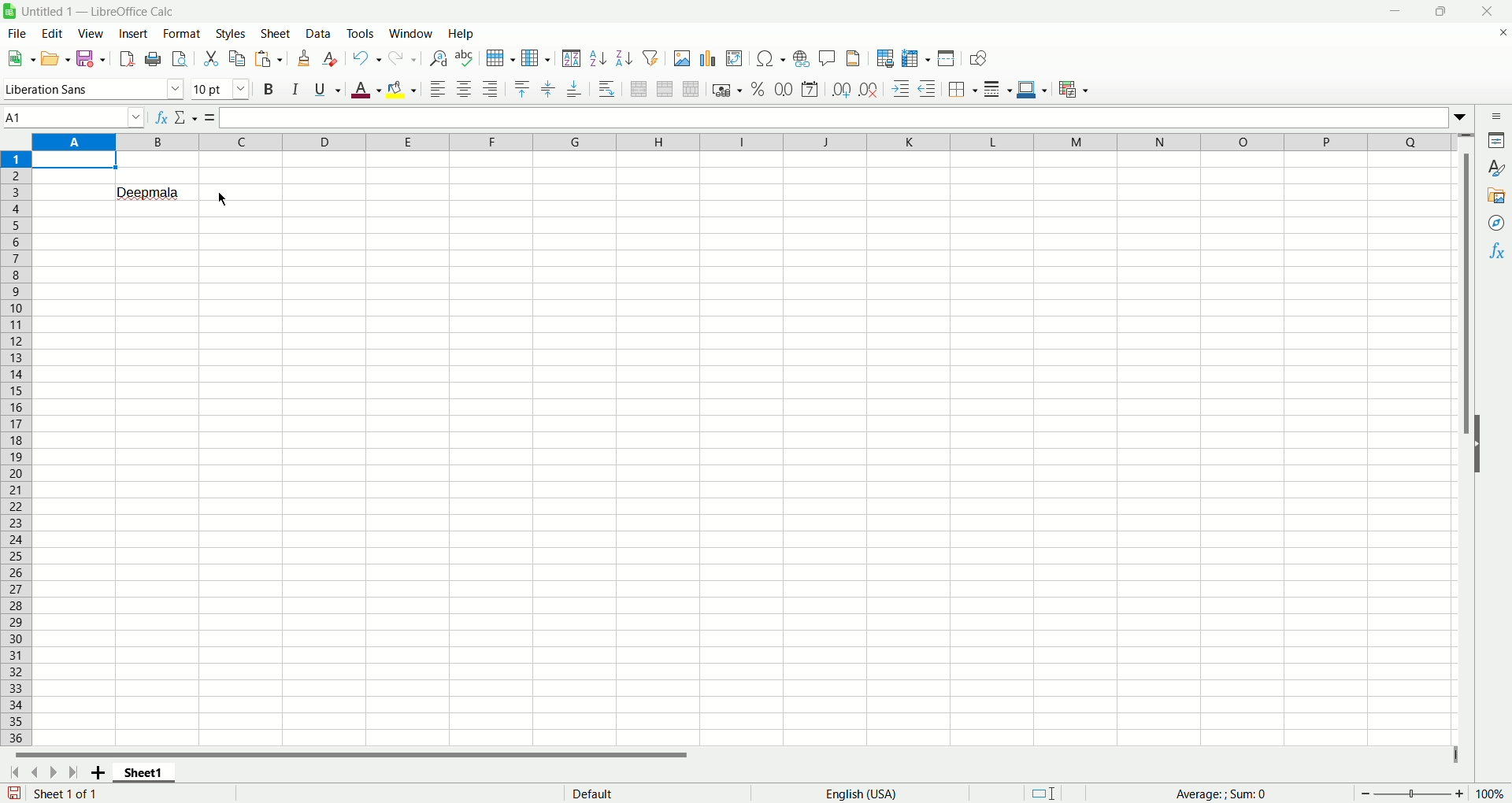 The width and height of the screenshot is (1512, 803). I want to click on save, so click(14, 793).